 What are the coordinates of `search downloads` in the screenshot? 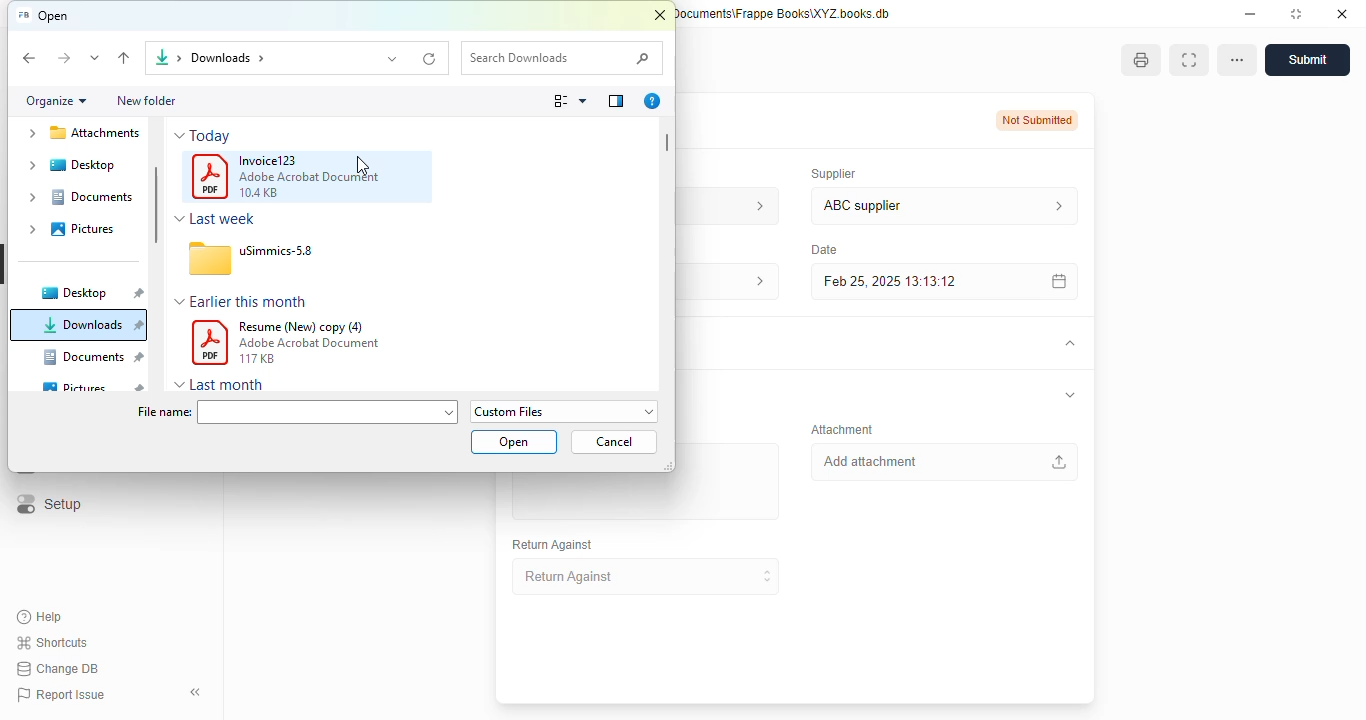 It's located at (562, 58).